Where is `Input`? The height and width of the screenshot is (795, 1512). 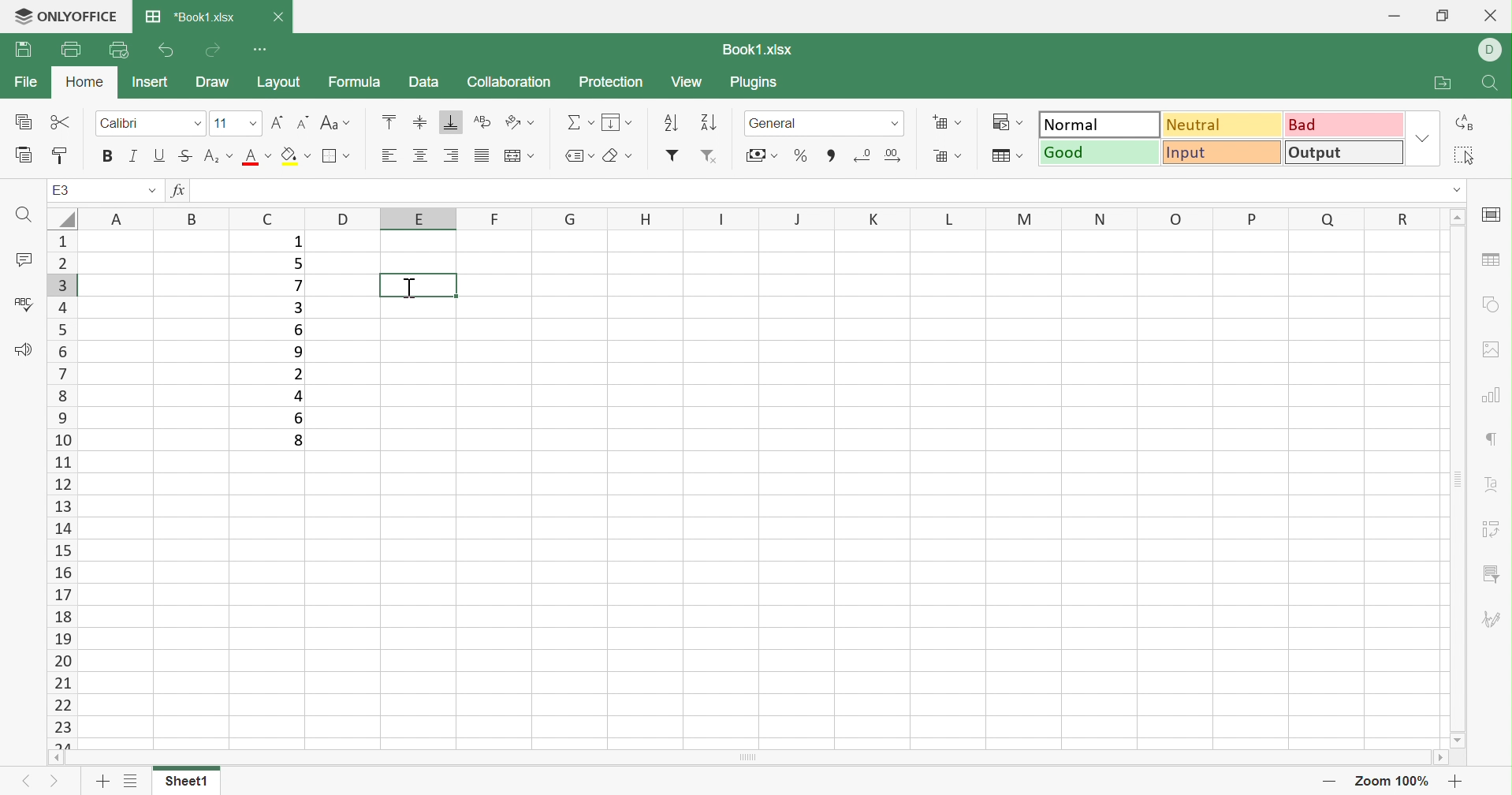 Input is located at coordinates (1220, 153).